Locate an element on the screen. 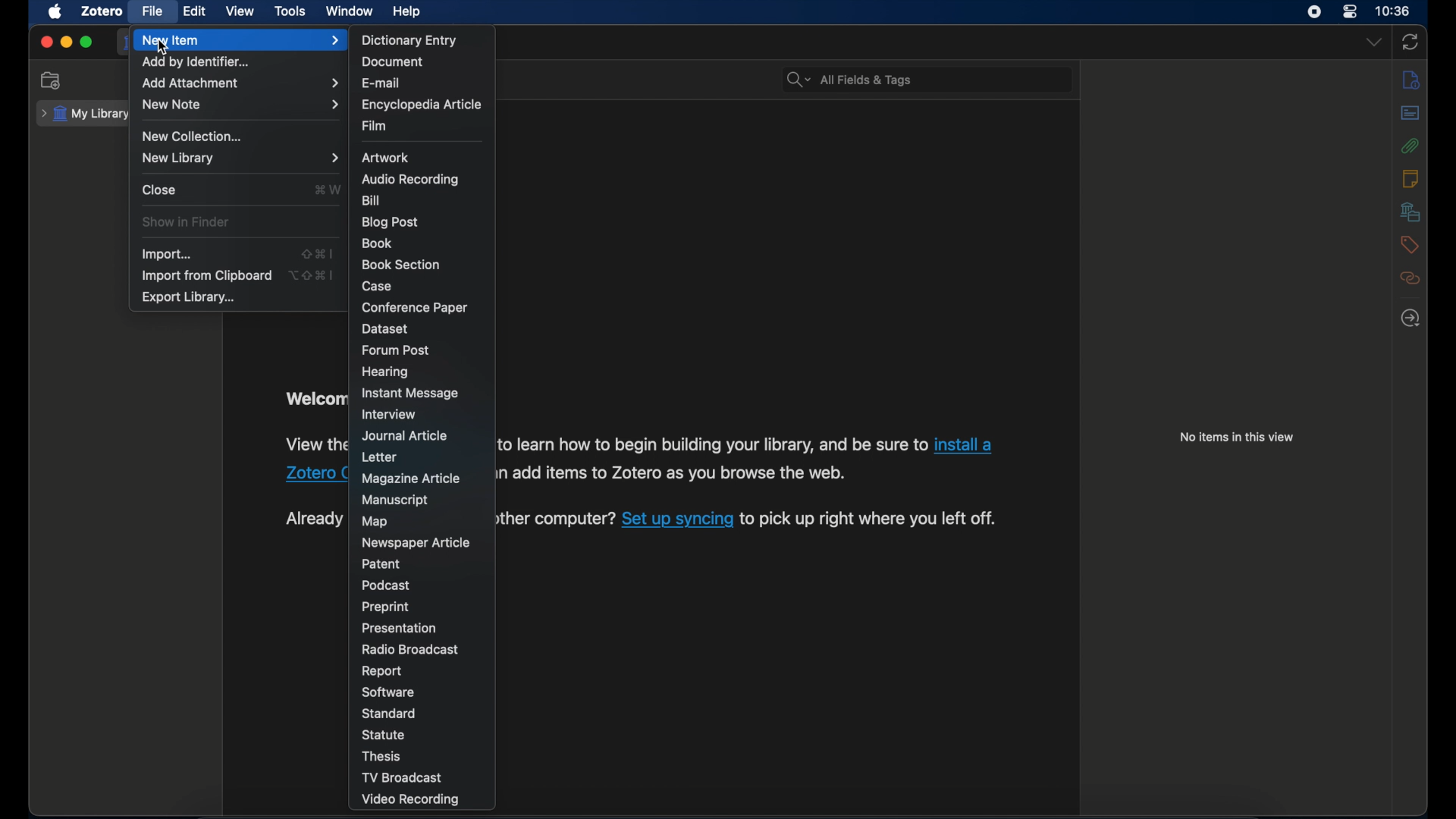 The image size is (1456, 819). libraries is located at coordinates (1410, 212).